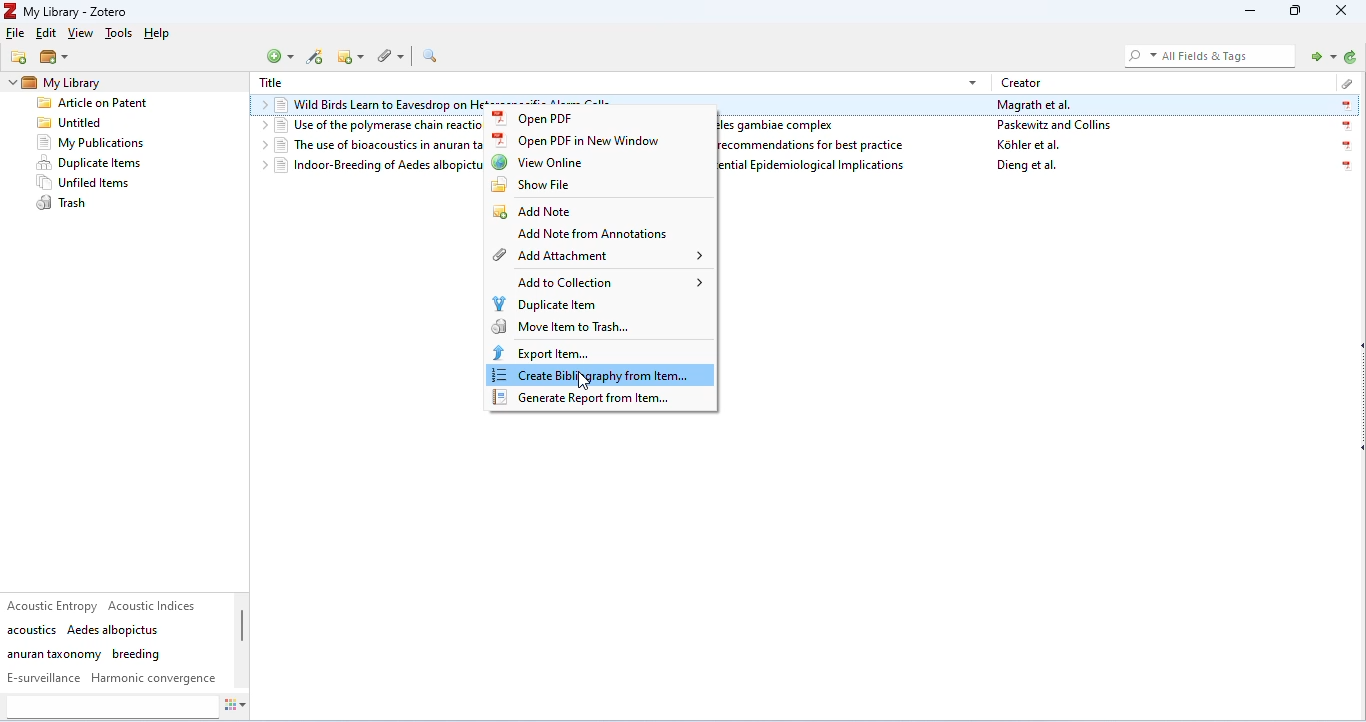 This screenshot has height=722, width=1366. What do you see at coordinates (1036, 106) in the screenshot?
I see `magrath et al.` at bounding box center [1036, 106].